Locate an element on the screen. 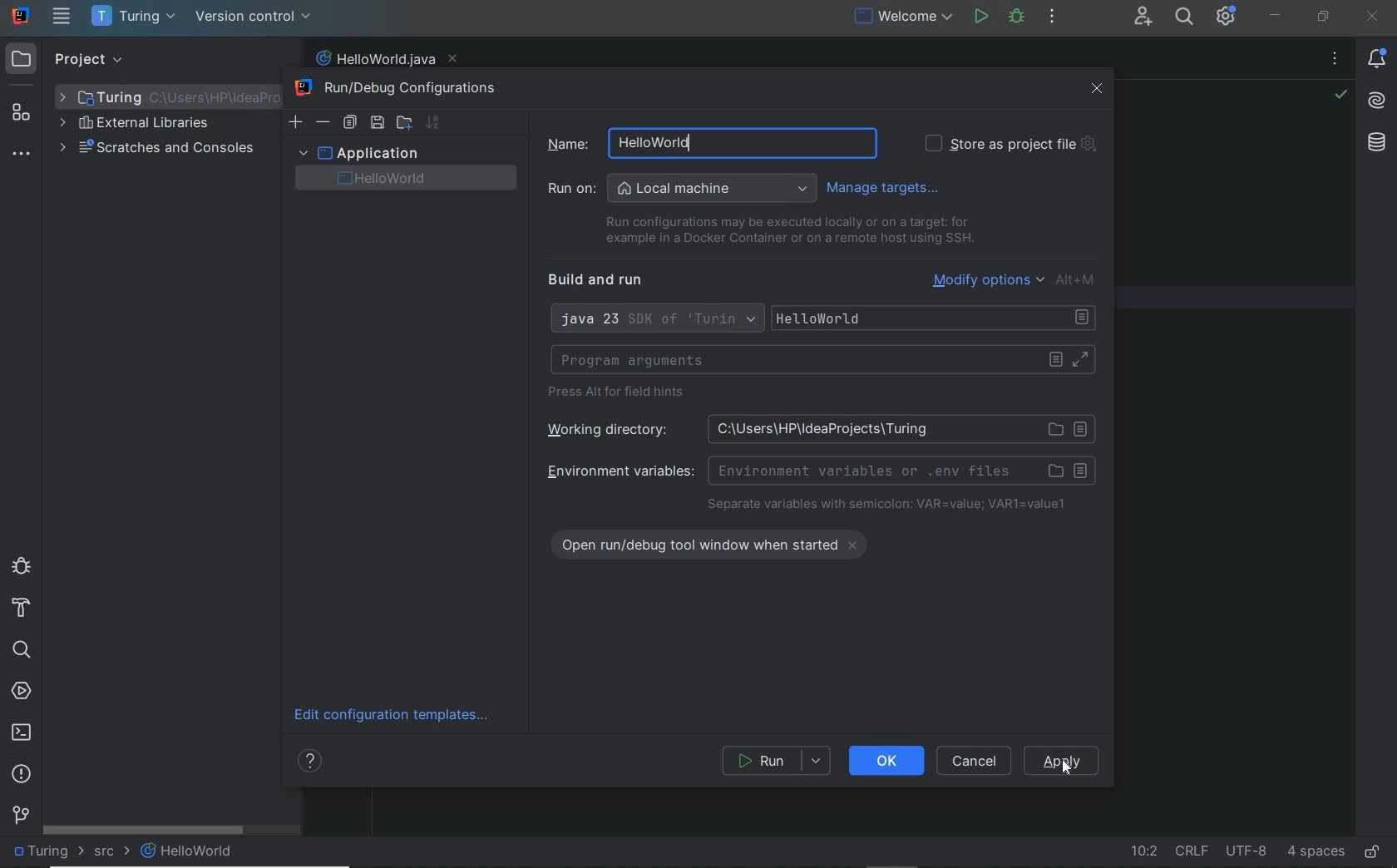 This screenshot has width=1397, height=868. cursor is located at coordinates (1066, 768).